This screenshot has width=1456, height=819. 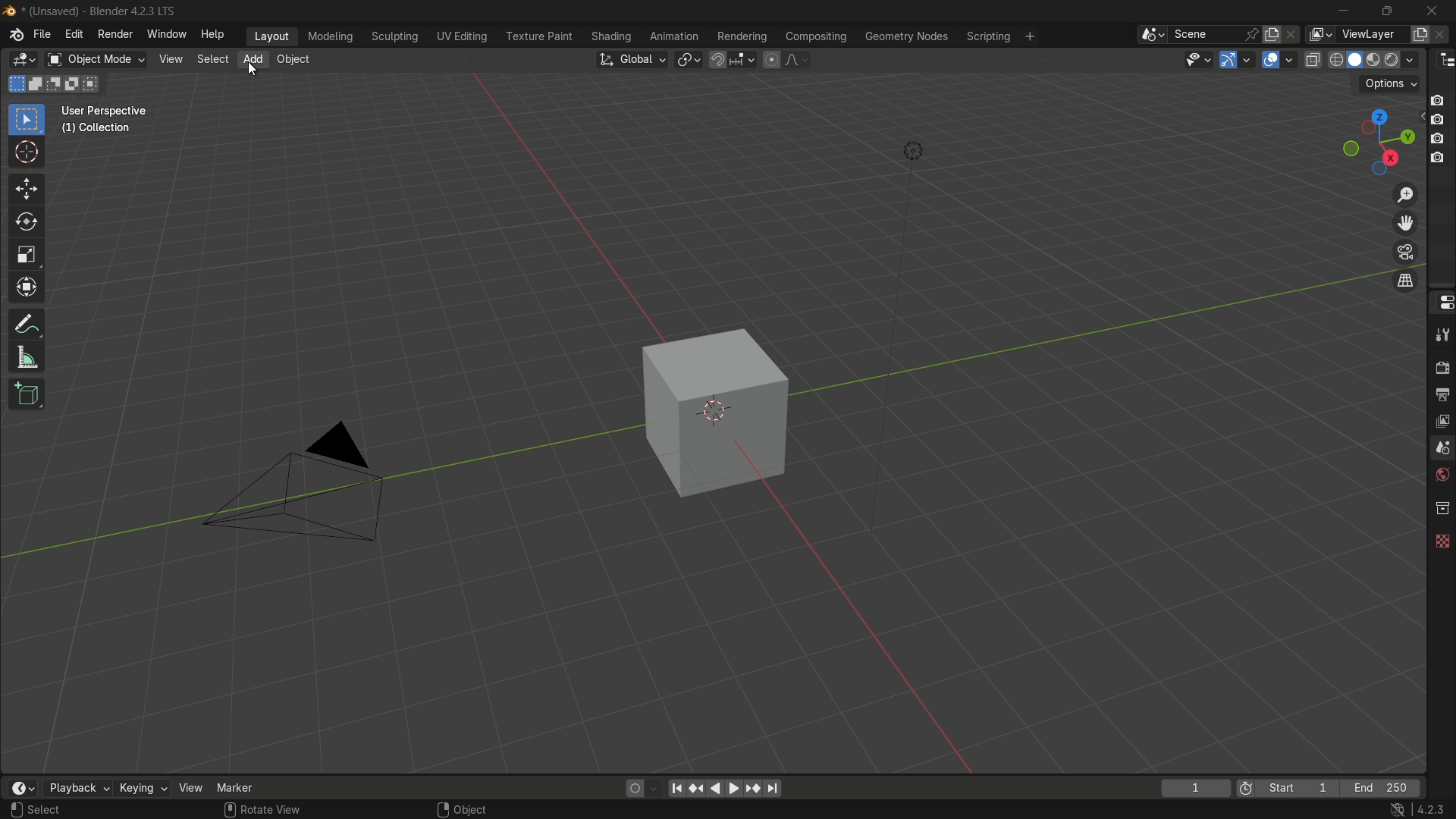 I want to click on jump to keyframe, so click(x=750, y=788).